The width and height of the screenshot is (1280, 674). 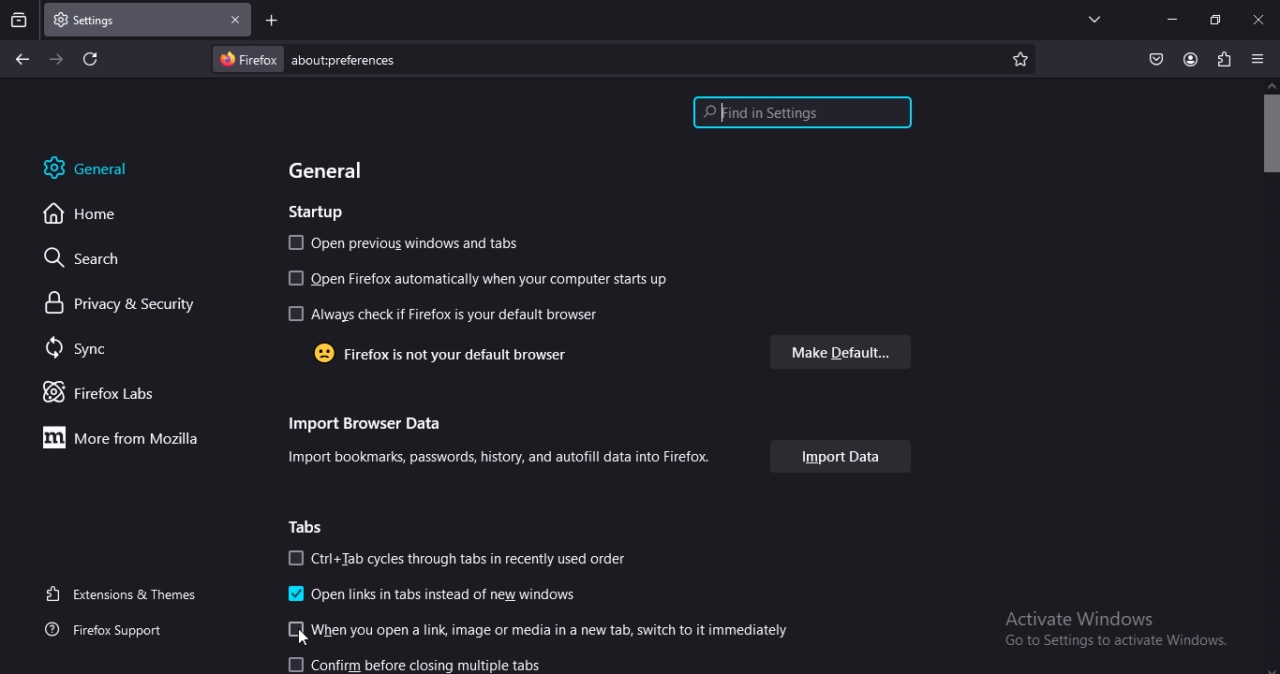 What do you see at coordinates (106, 17) in the screenshot?
I see `settings` at bounding box center [106, 17].